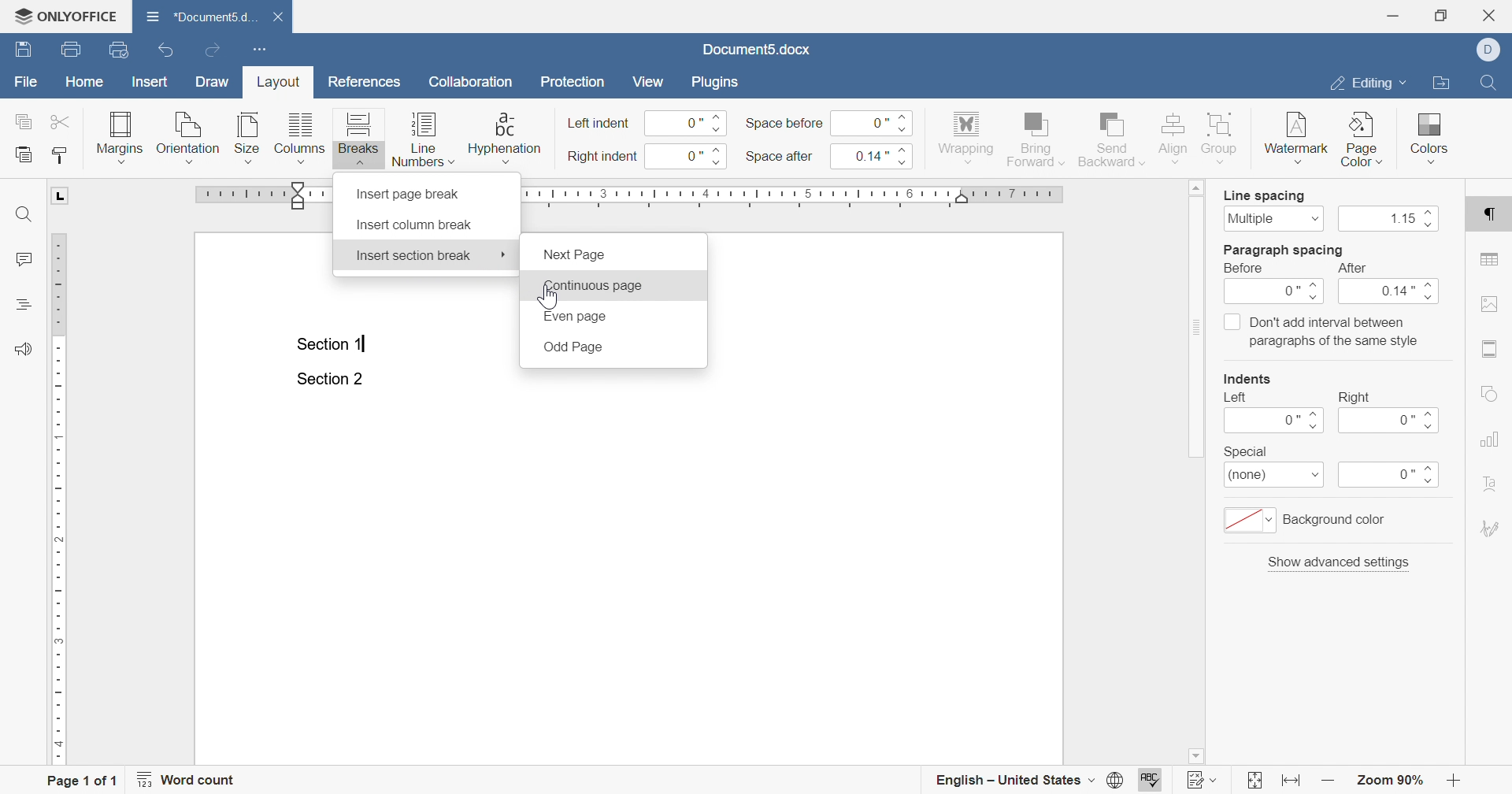 This screenshot has width=1512, height=794. What do you see at coordinates (1294, 141) in the screenshot?
I see `watermark` at bounding box center [1294, 141].